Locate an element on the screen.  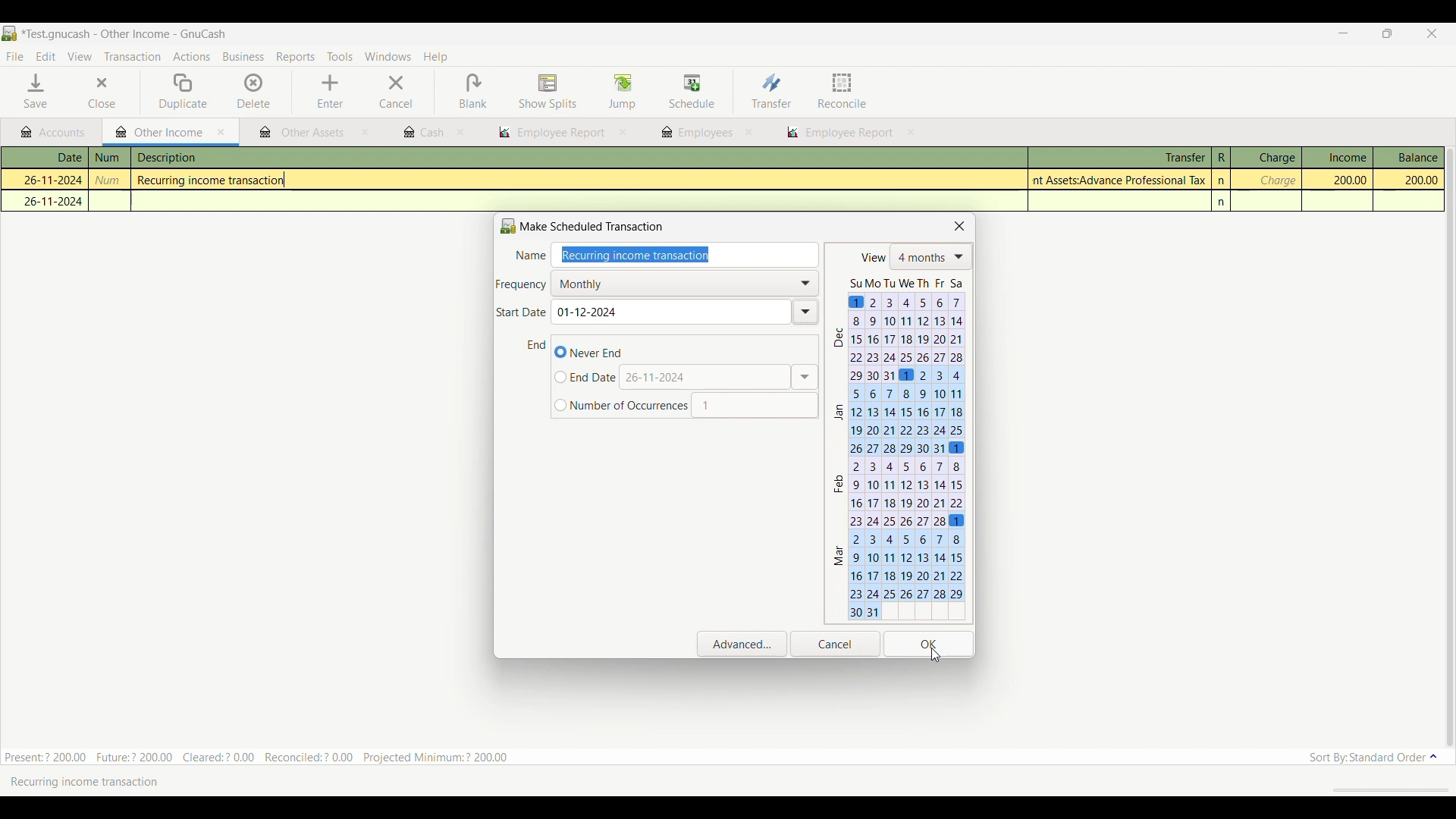
Close is located at coordinates (91, 93).